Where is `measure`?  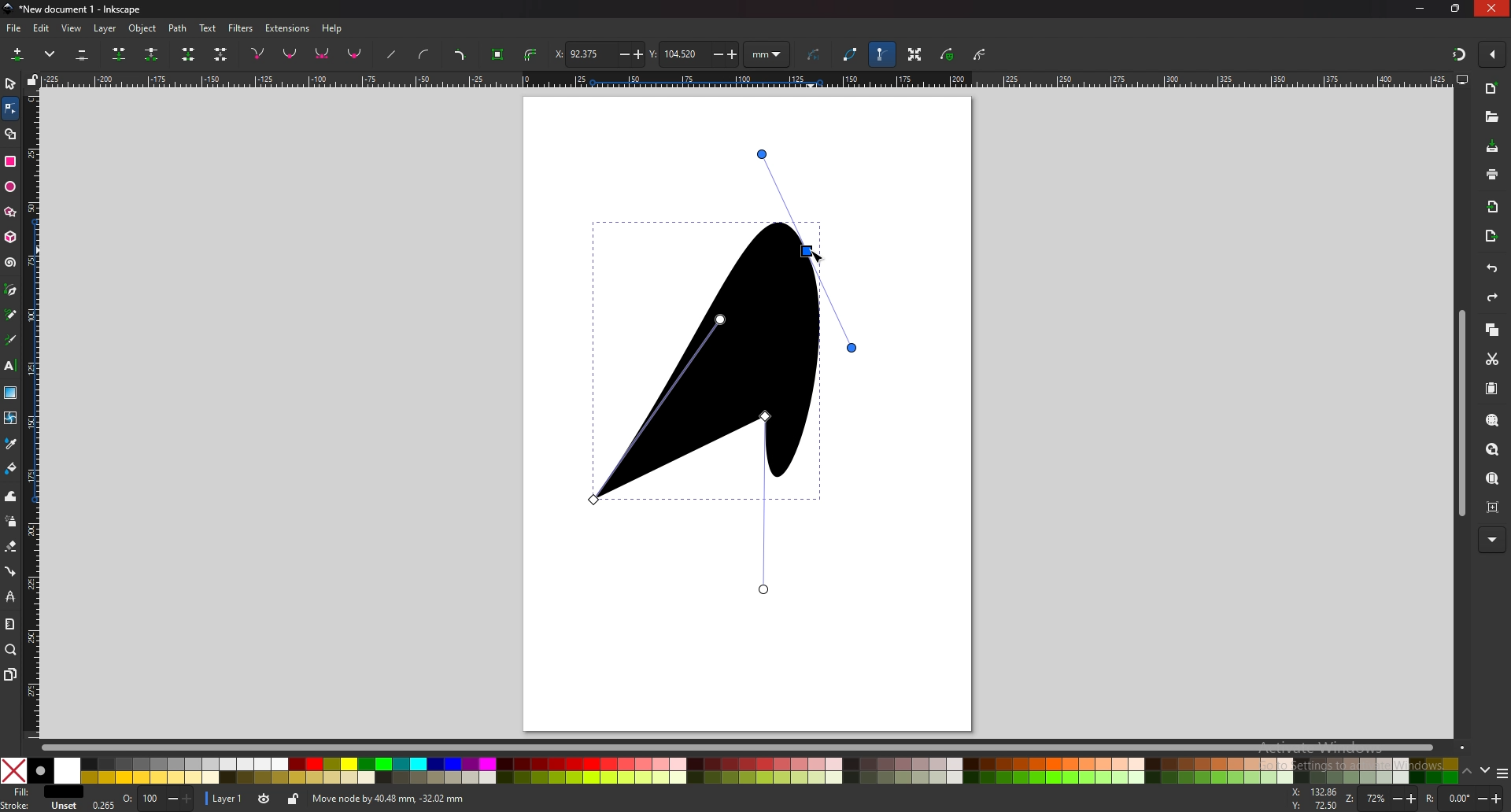
measure is located at coordinates (10, 624).